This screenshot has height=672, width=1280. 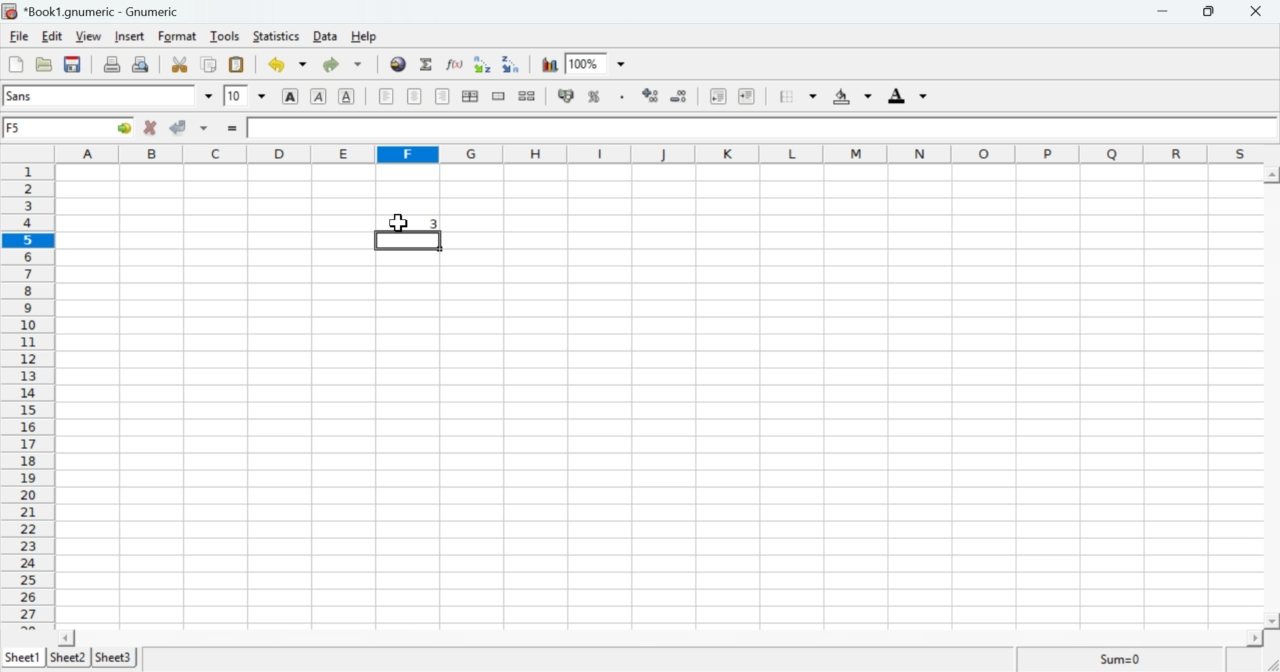 I want to click on Edit, so click(x=52, y=37).